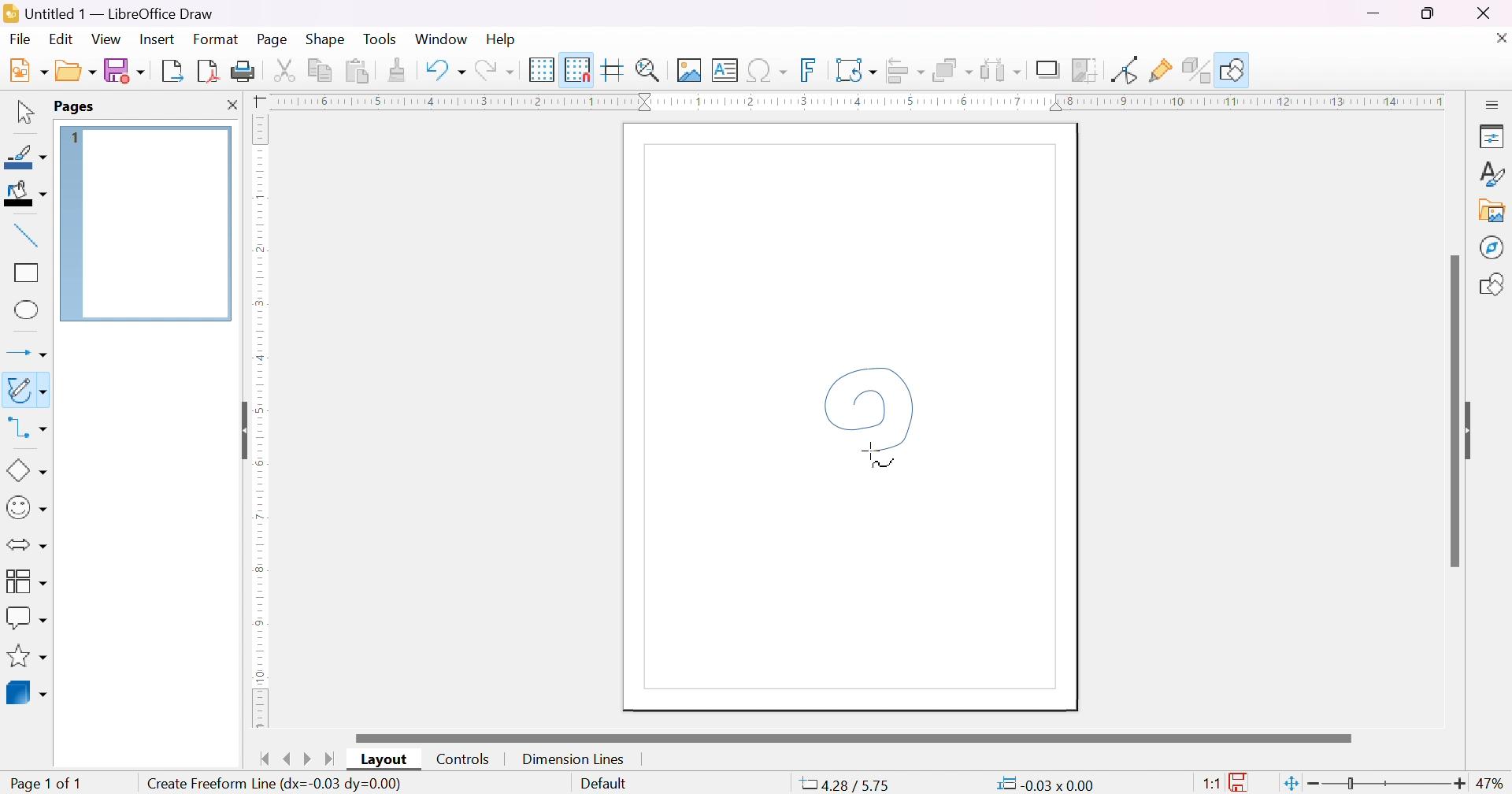  I want to click on slider, so click(1390, 785).